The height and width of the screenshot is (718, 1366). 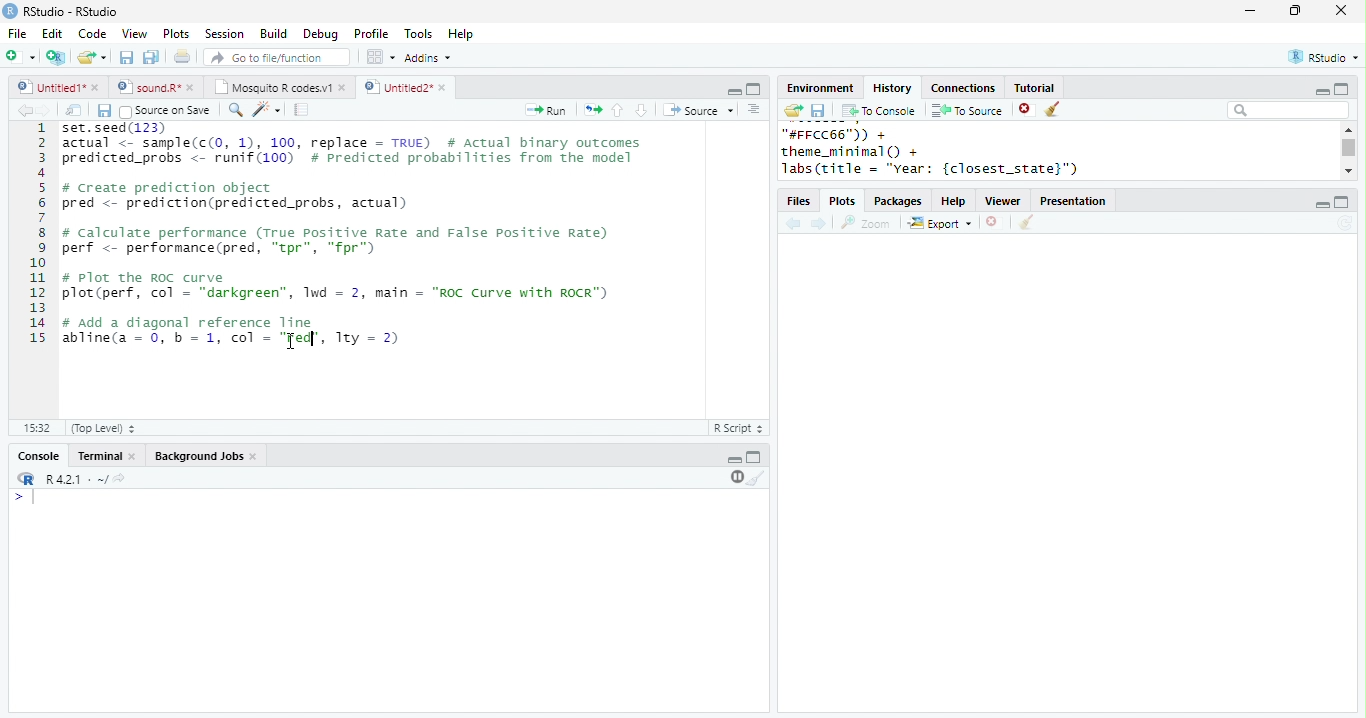 What do you see at coordinates (1054, 110) in the screenshot?
I see `clear` at bounding box center [1054, 110].